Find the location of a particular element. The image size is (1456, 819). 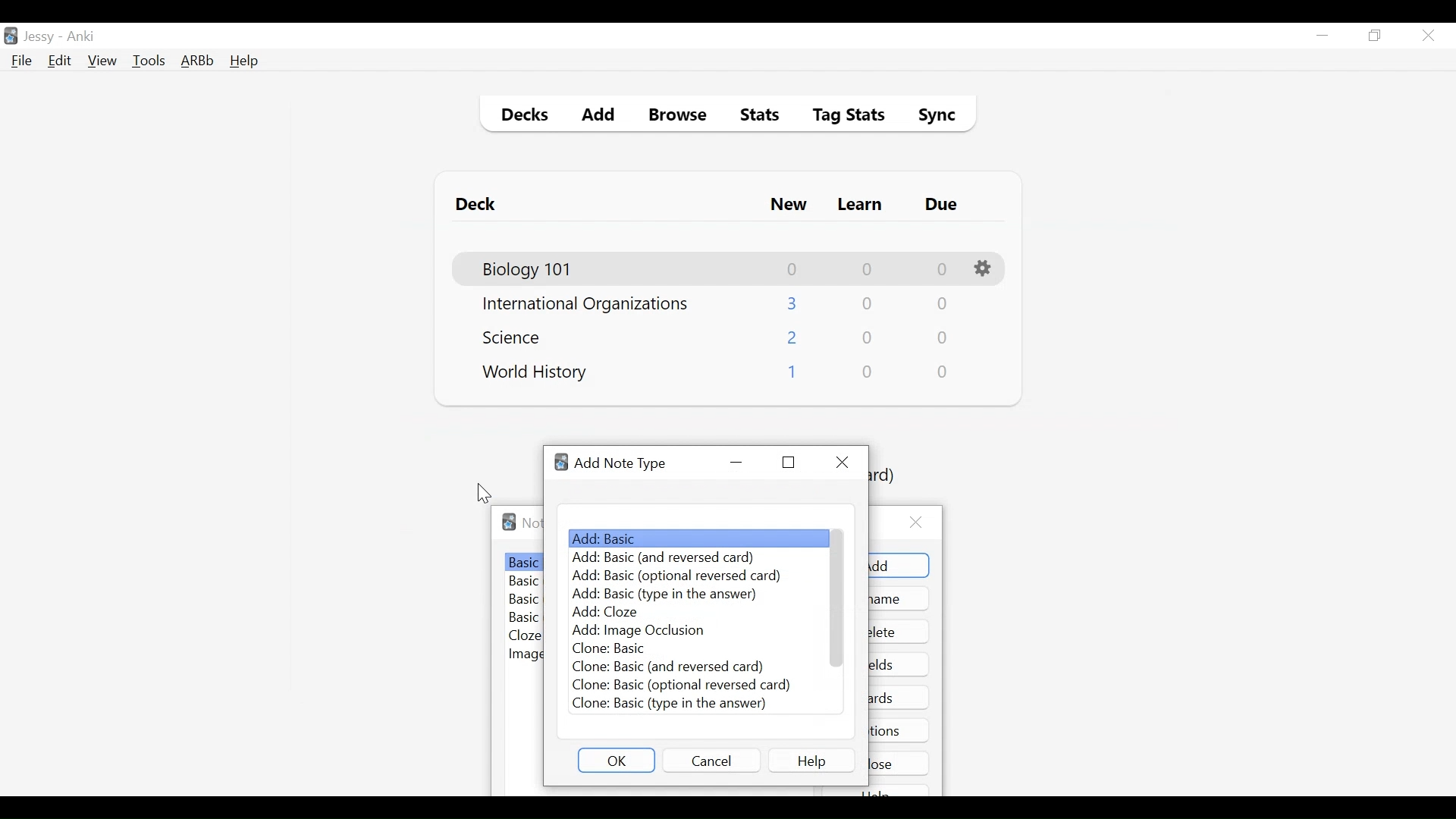

Add is located at coordinates (599, 117).